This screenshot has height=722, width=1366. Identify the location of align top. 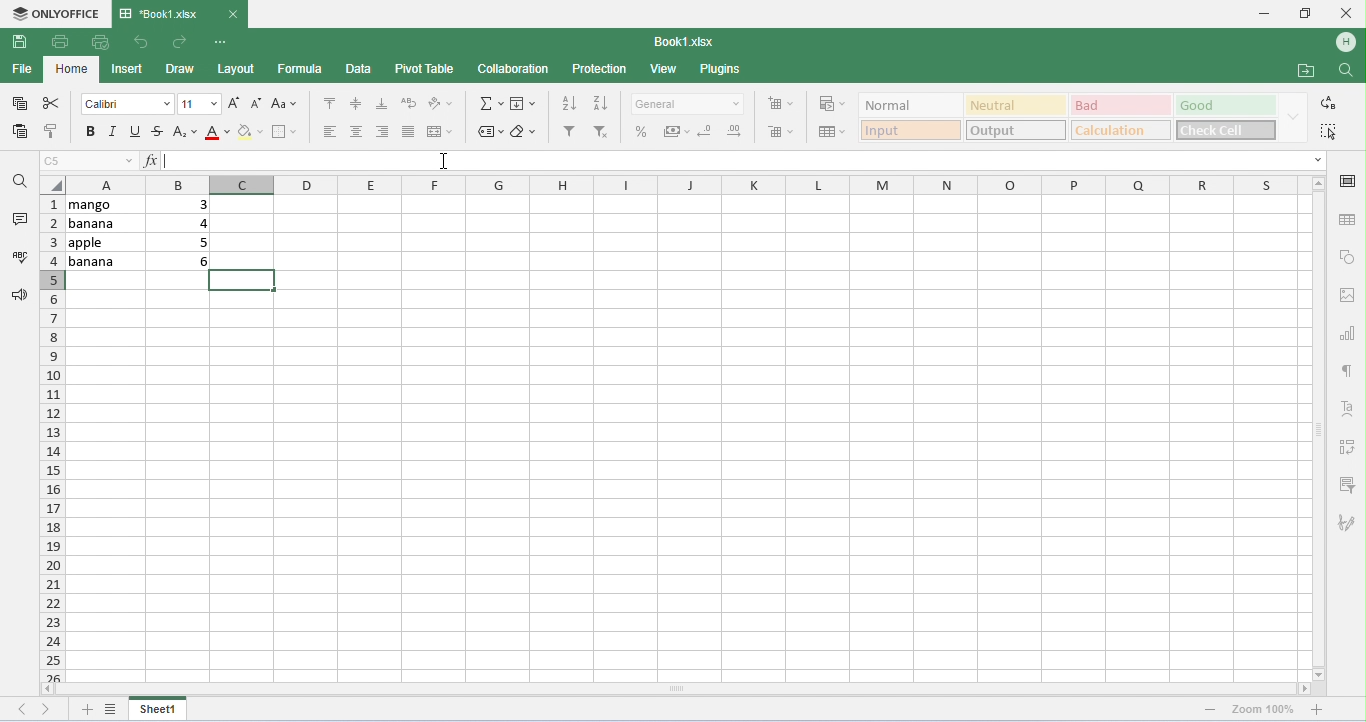
(327, 102).